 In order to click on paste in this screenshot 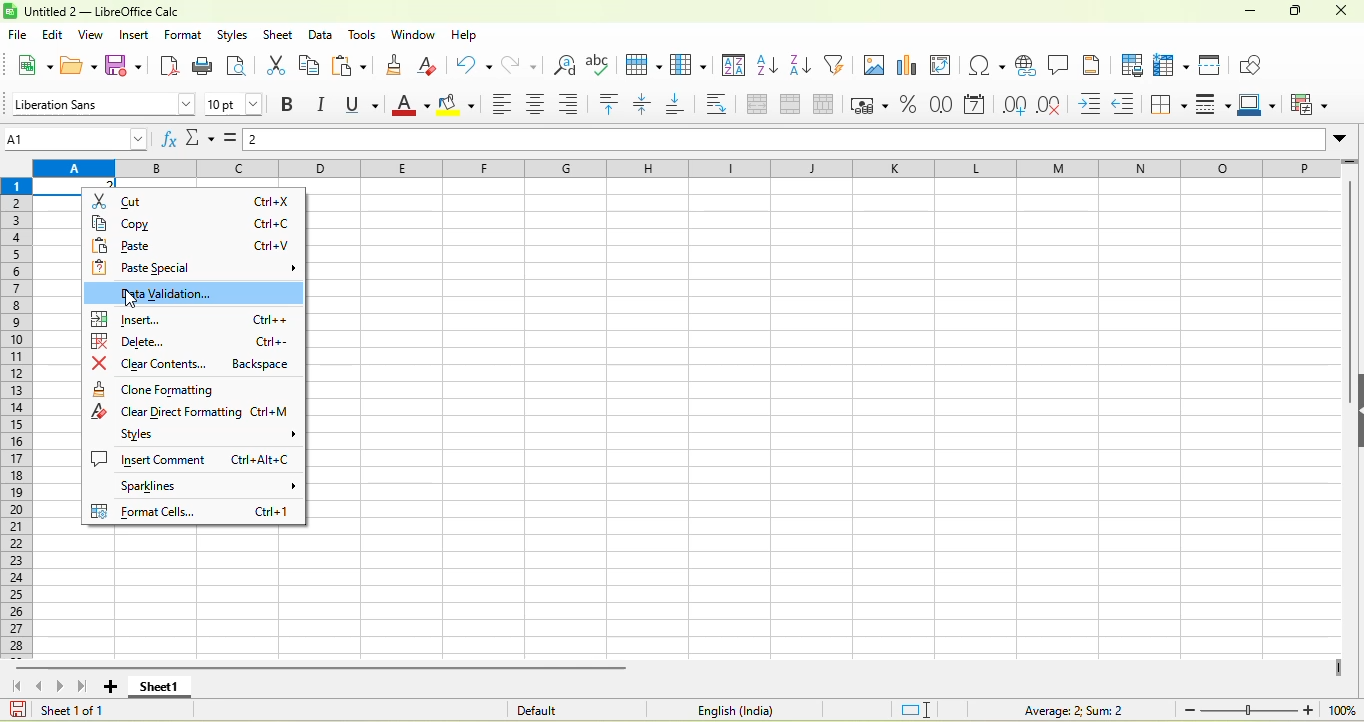, I will do `click(189, 247)`.